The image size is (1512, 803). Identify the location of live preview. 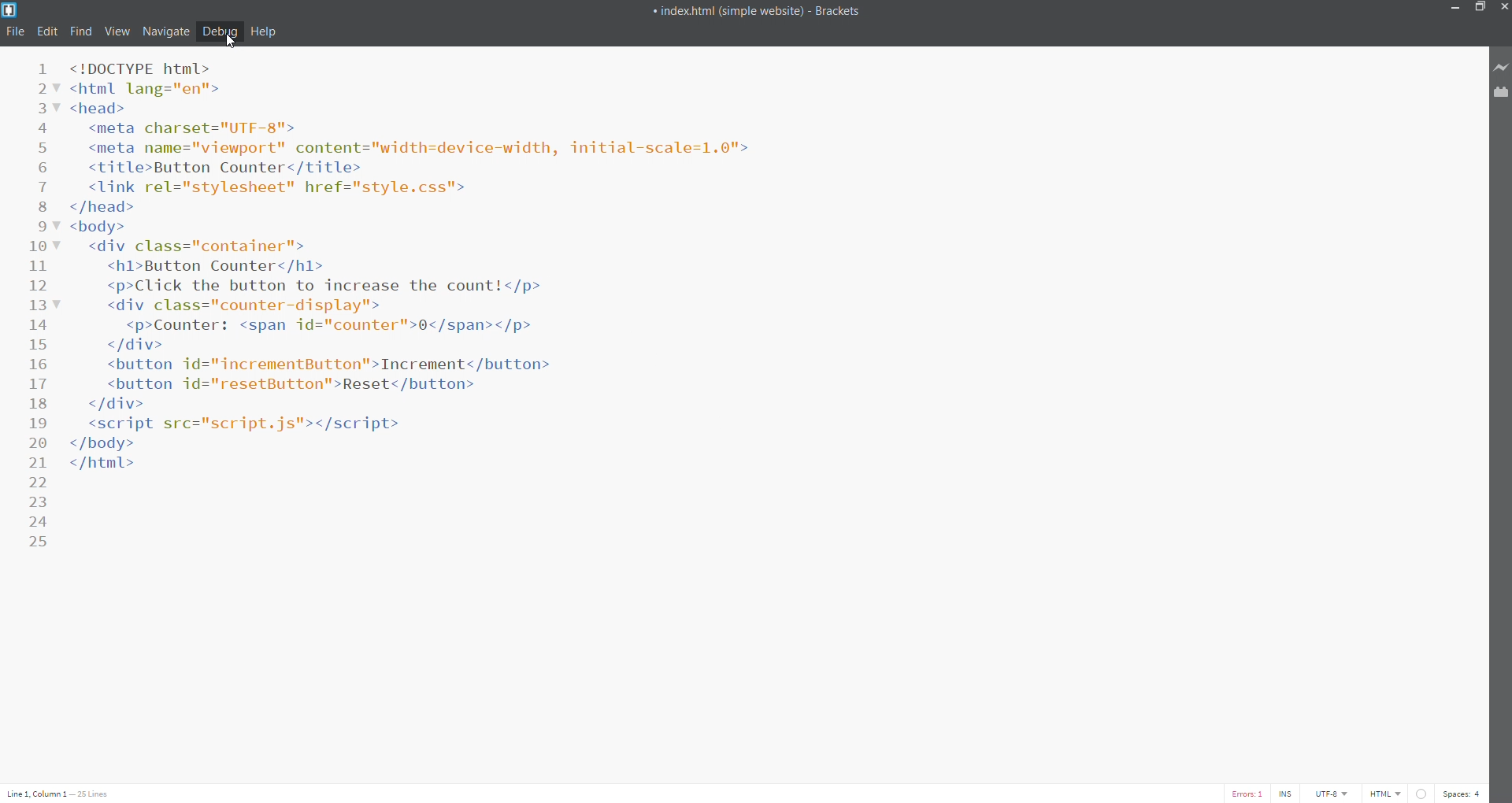
(1499, 68).